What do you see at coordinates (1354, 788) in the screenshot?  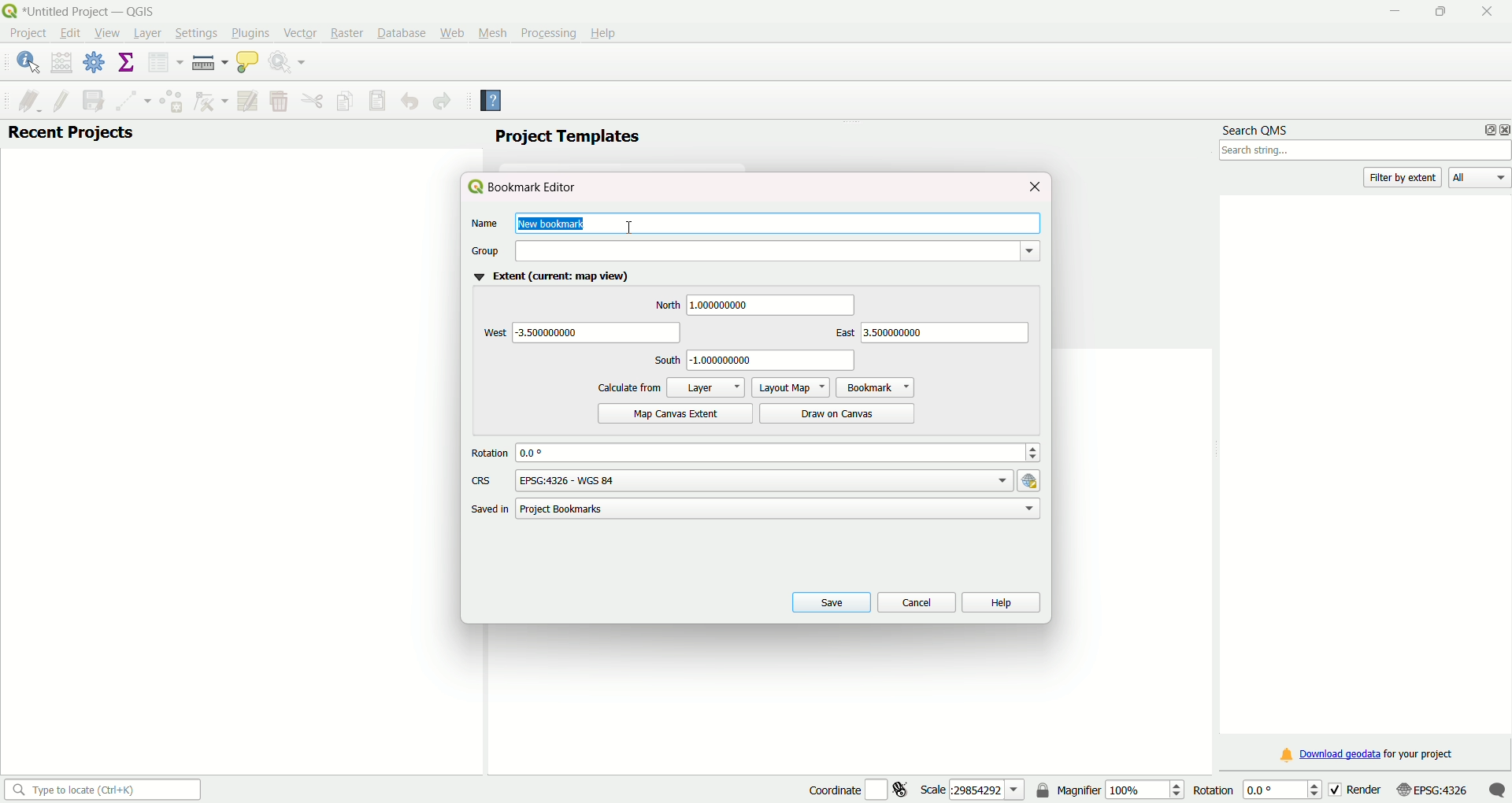 I see `render` at bounding box center [1354, 788].